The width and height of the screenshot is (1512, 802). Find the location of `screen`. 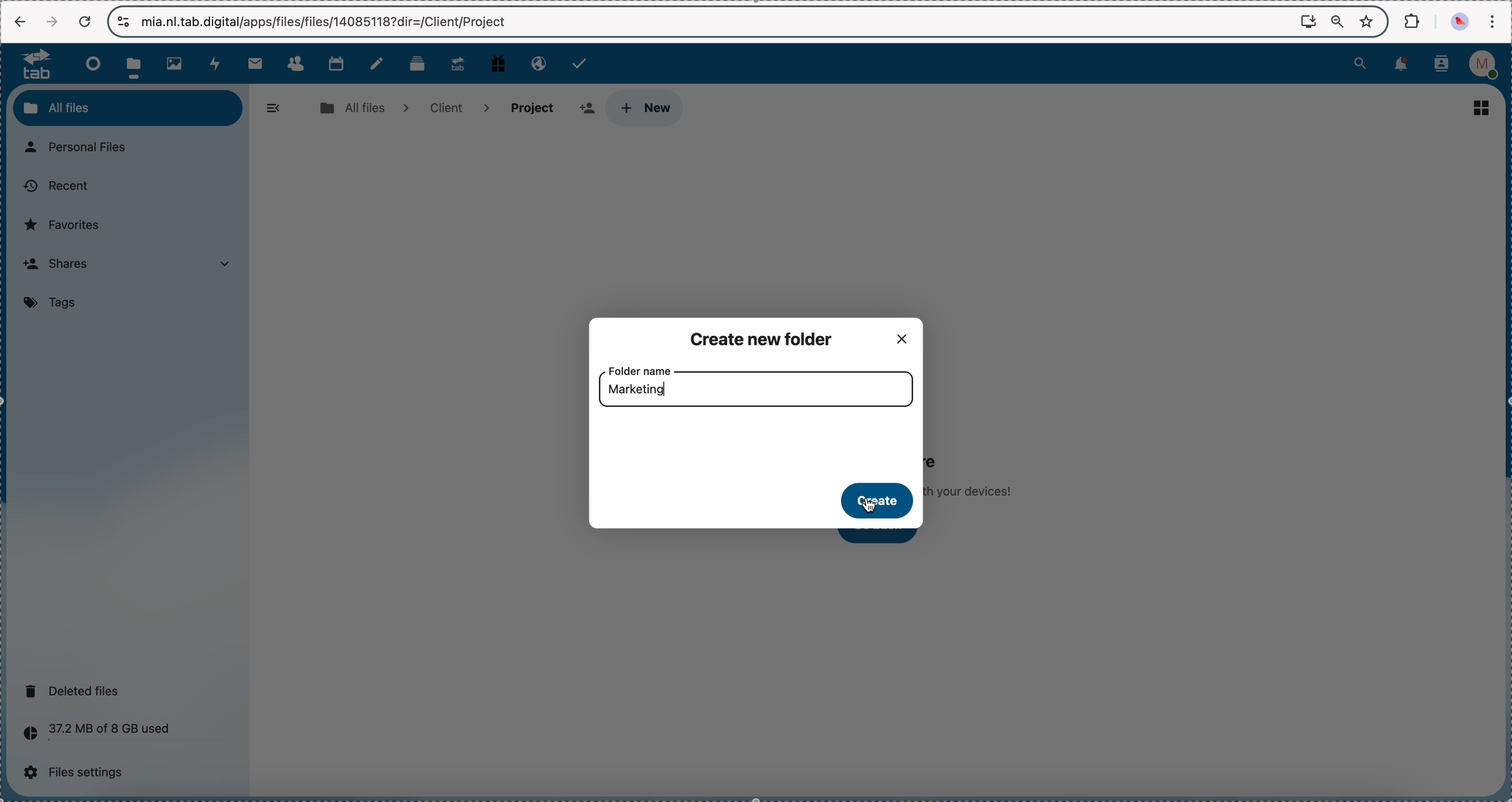

screen is located at coordinates (1308, 21).